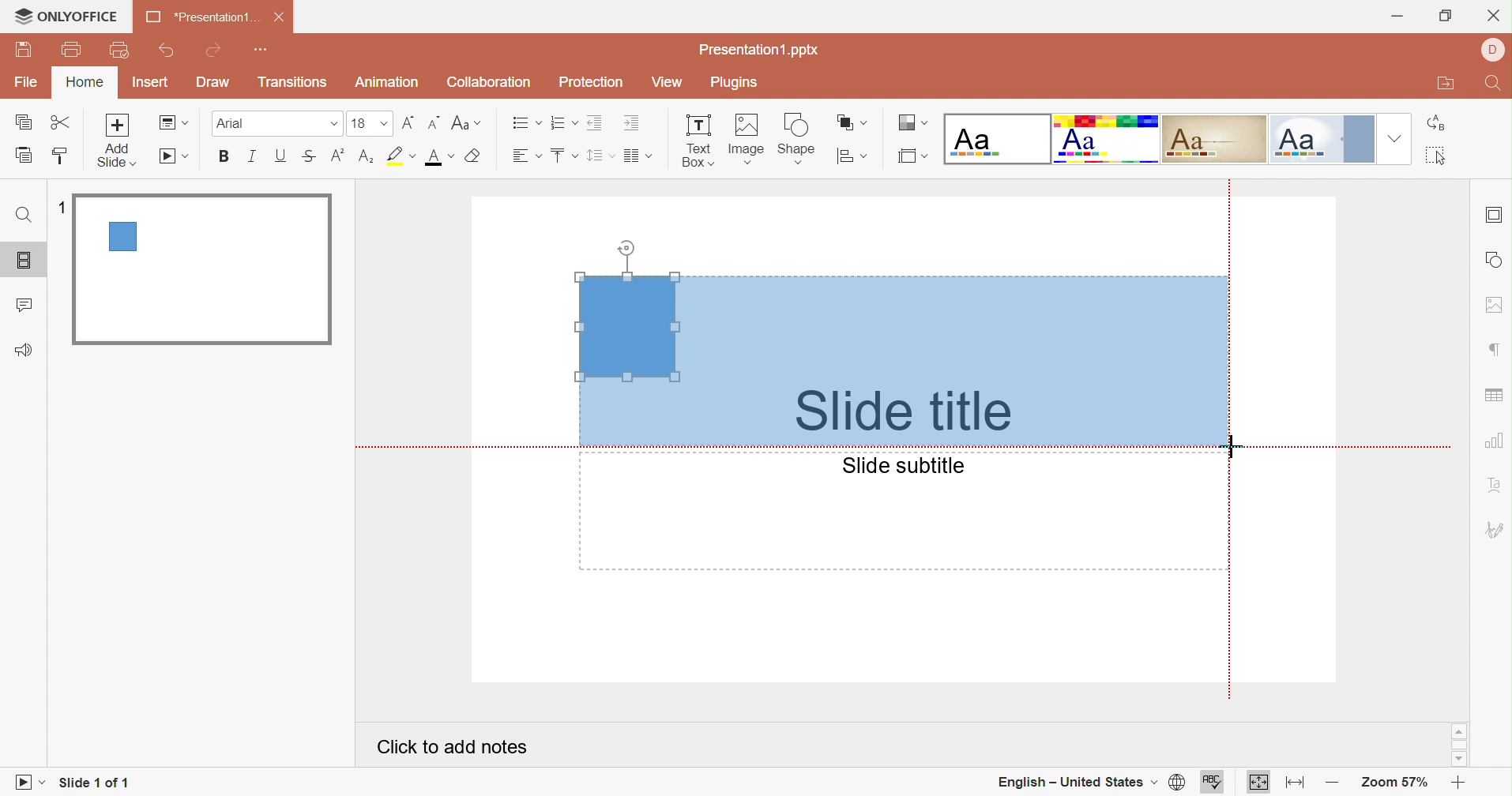 This screenshot has width=1512, height=796. I want to click on Font, so click(276, 123).